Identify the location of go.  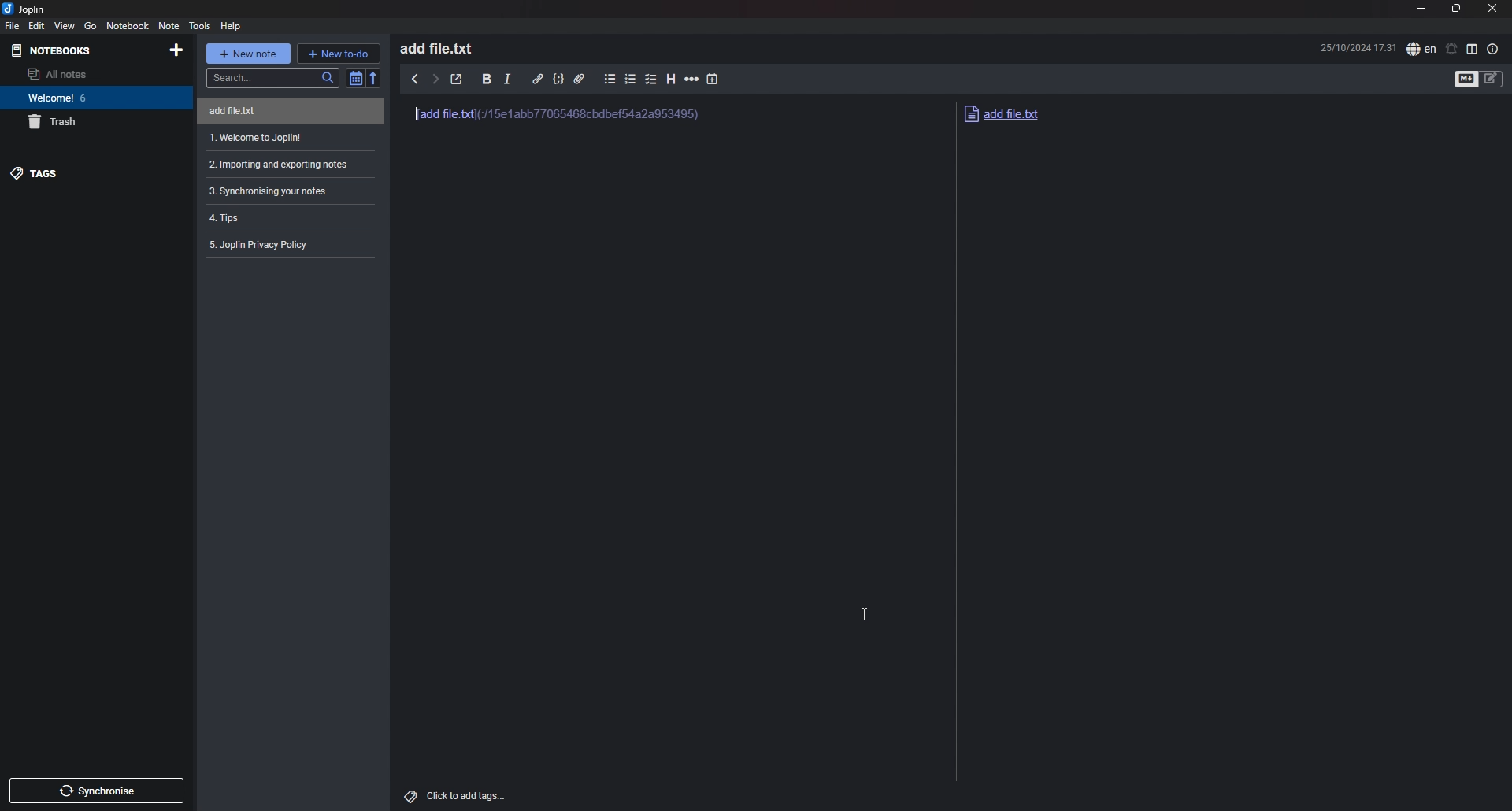
(91, 25).